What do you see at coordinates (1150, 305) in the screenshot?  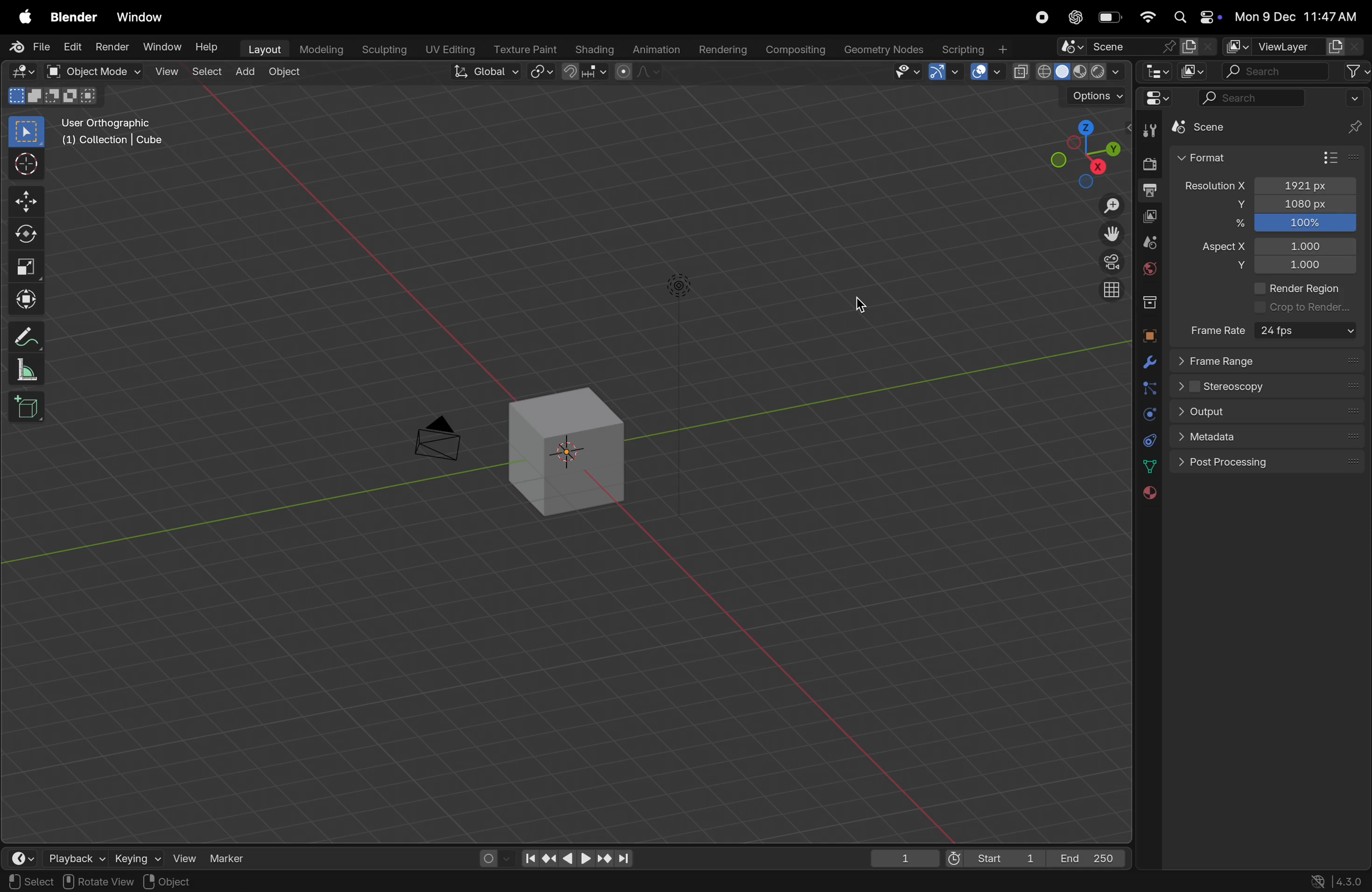 I see `collection` at bounding box center [1150, 305].